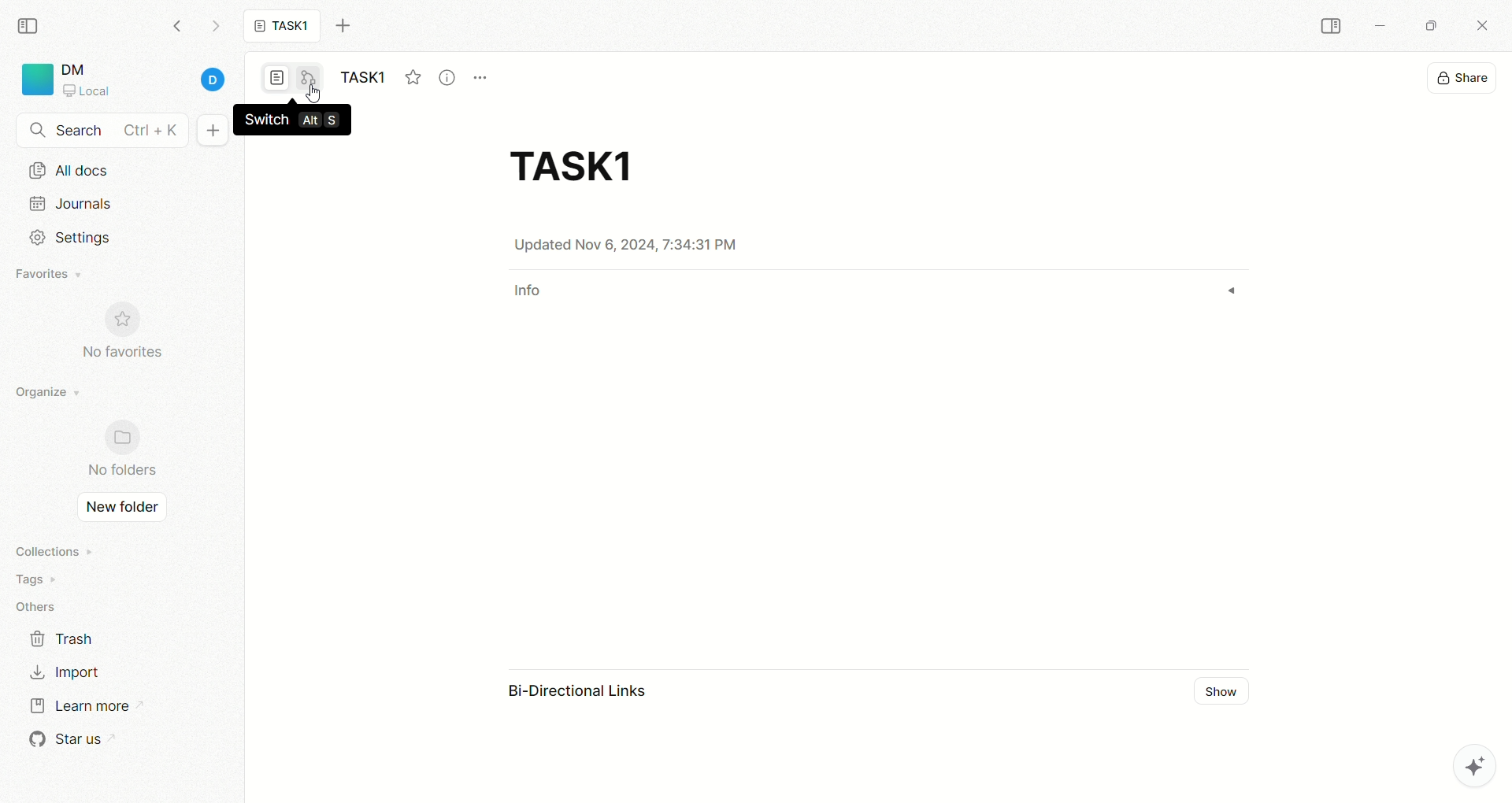  Describe the element at coordinates (115, 450) in the screenshot. I see `no folder` at that location.